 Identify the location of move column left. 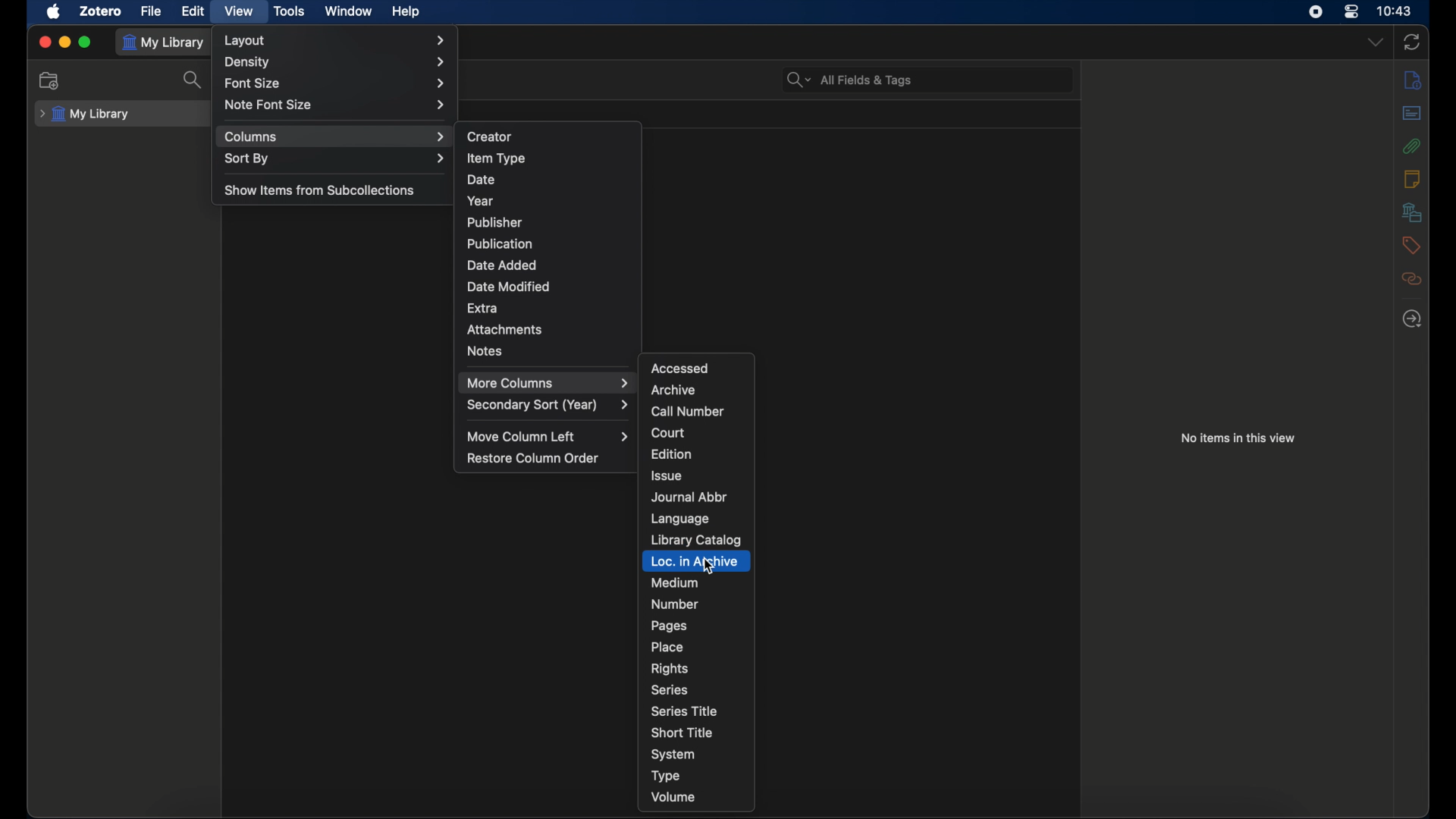
(549, 436).